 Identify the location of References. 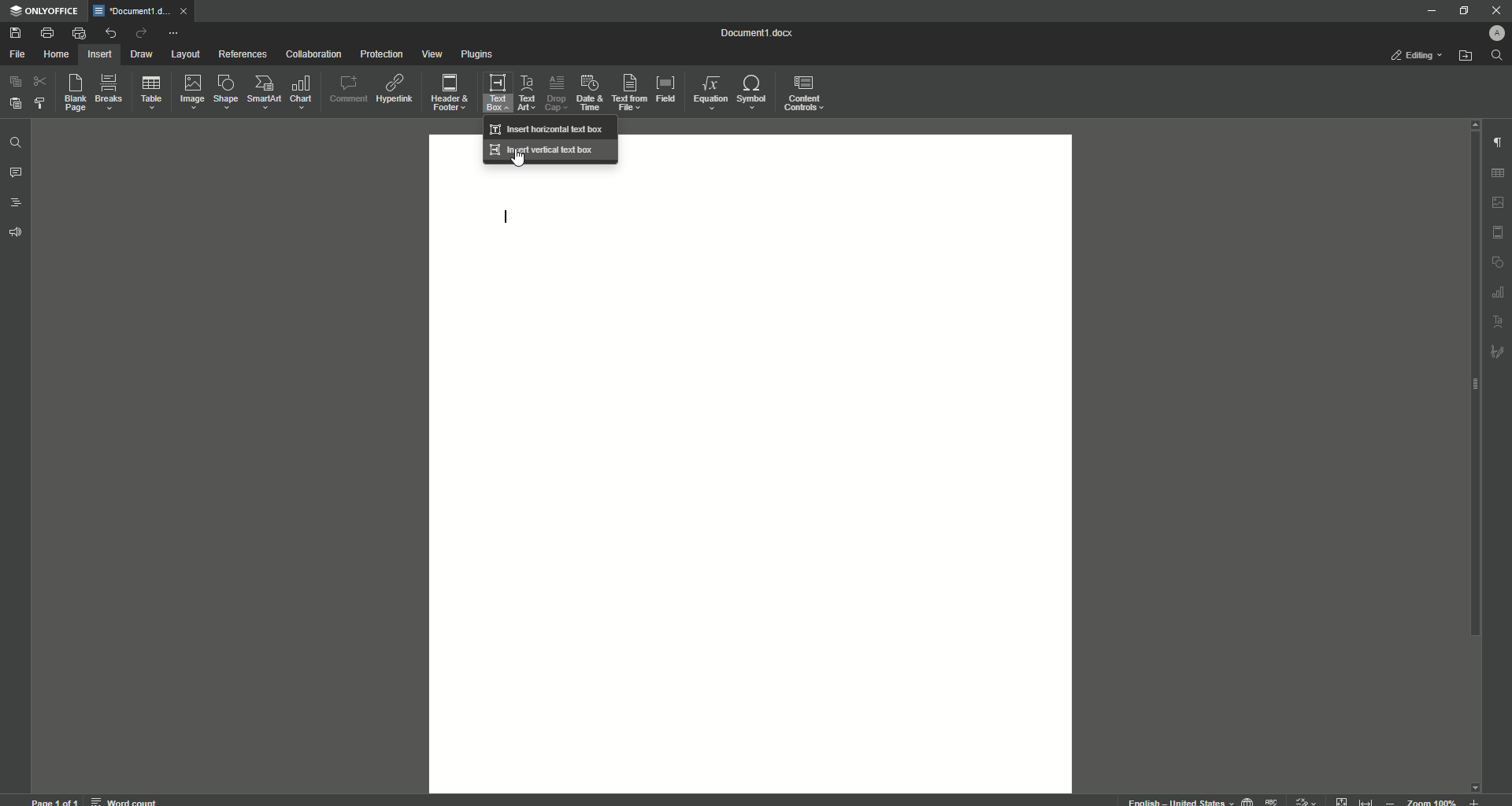
(243, 54).